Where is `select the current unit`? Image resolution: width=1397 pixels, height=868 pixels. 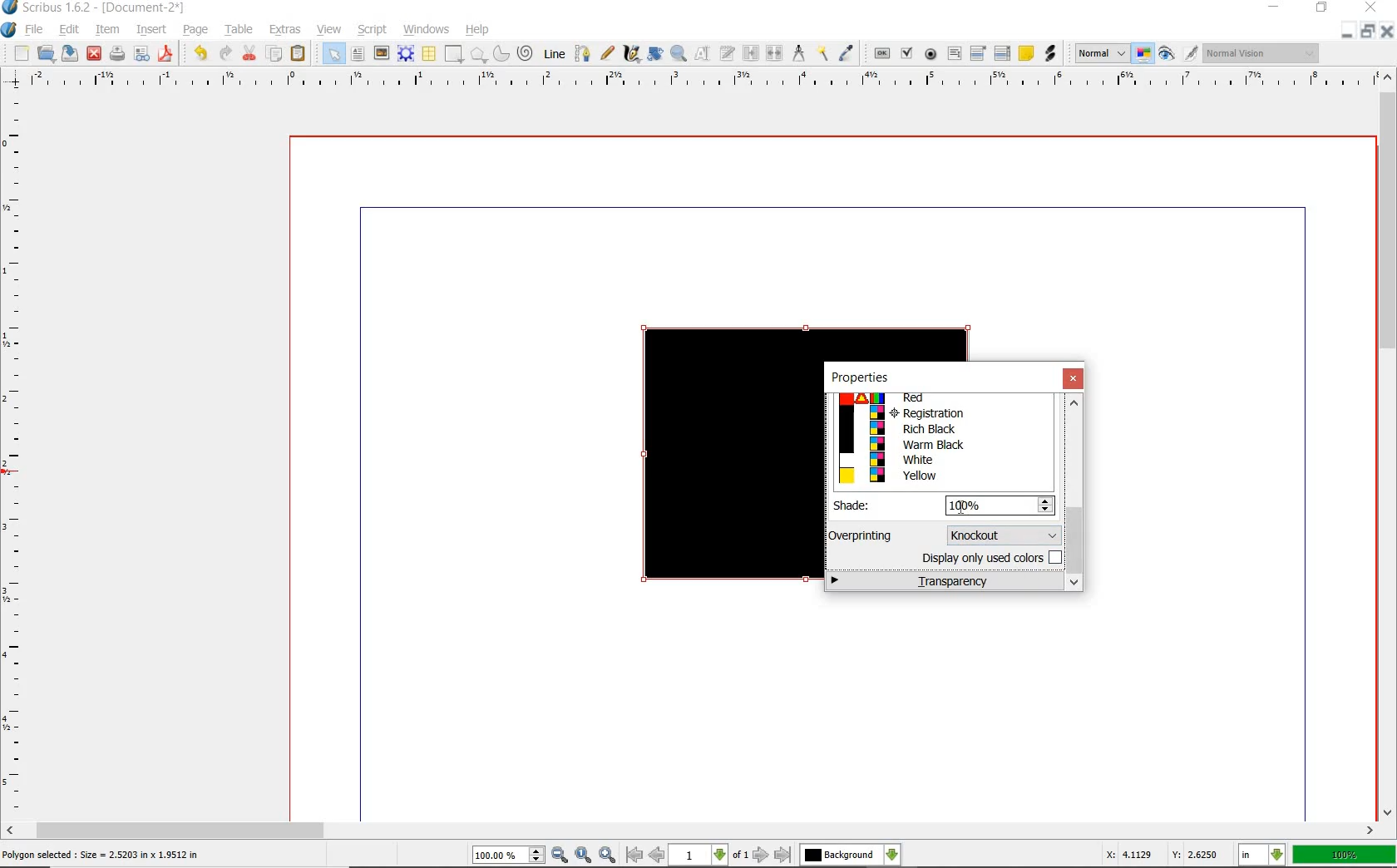
select the current unit is located at coordinates (1263, 856).